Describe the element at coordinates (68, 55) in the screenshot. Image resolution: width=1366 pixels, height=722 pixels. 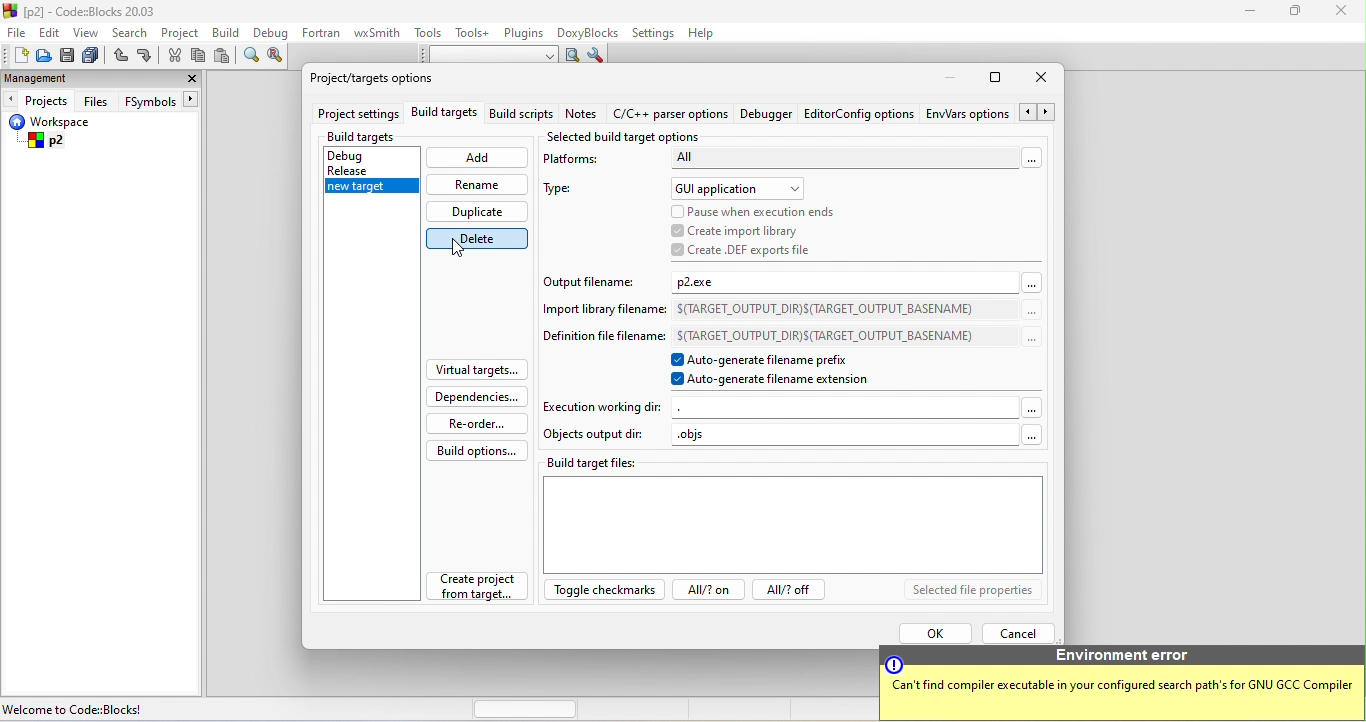
I see `save` at that location.